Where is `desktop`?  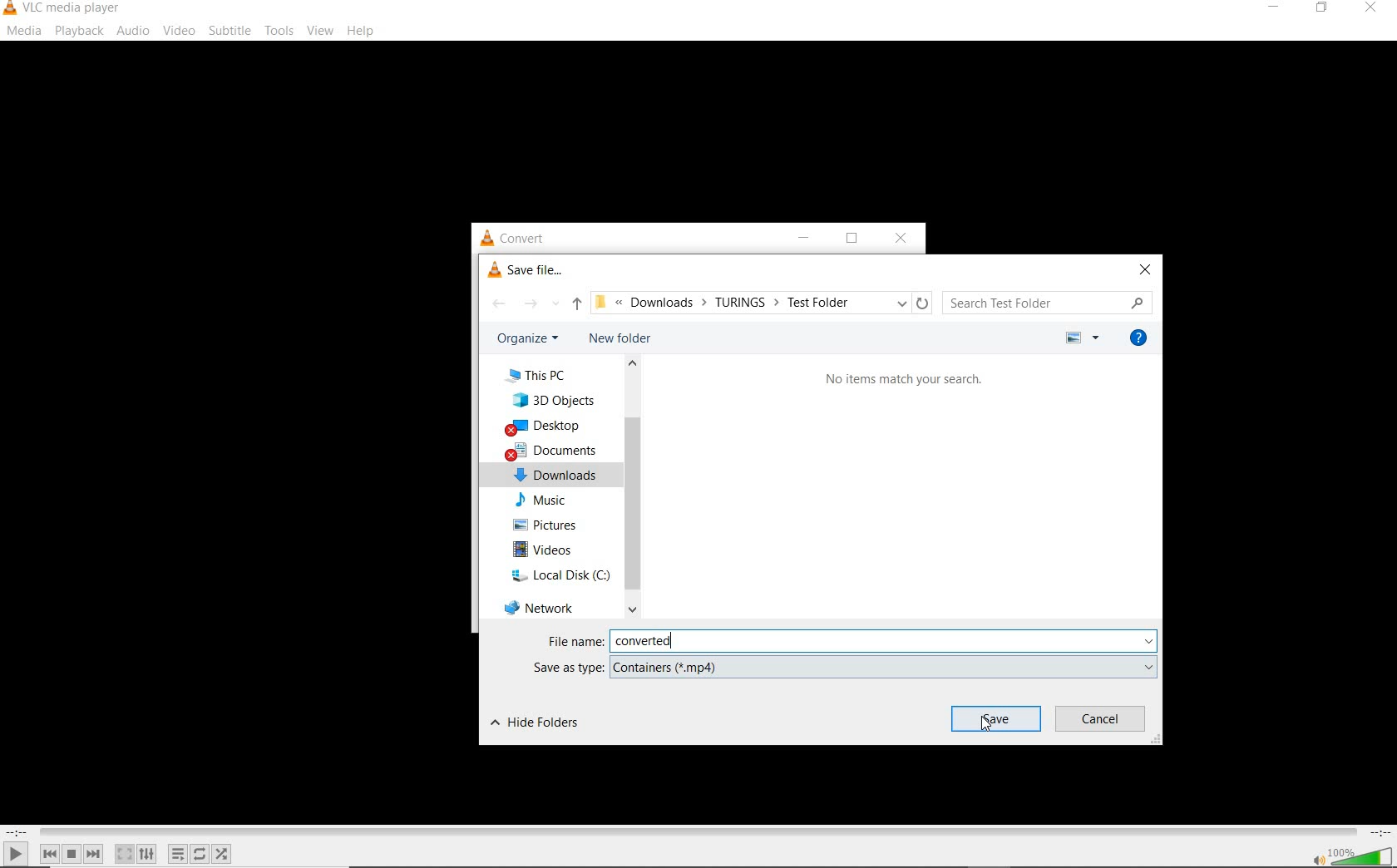 desktop is located at coordinates (545, 427).